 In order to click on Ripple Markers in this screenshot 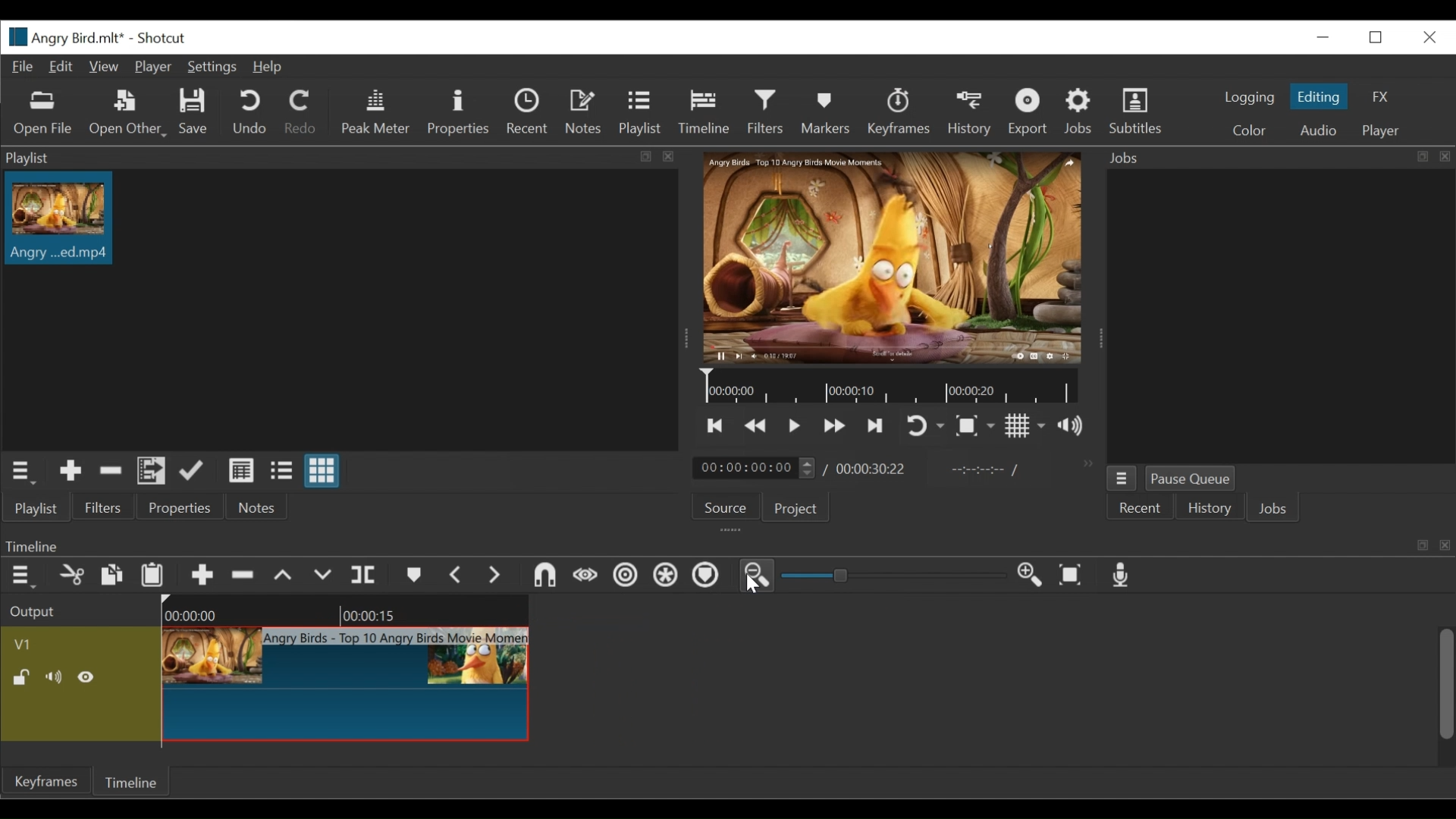, I will do `click(709, 577)`.